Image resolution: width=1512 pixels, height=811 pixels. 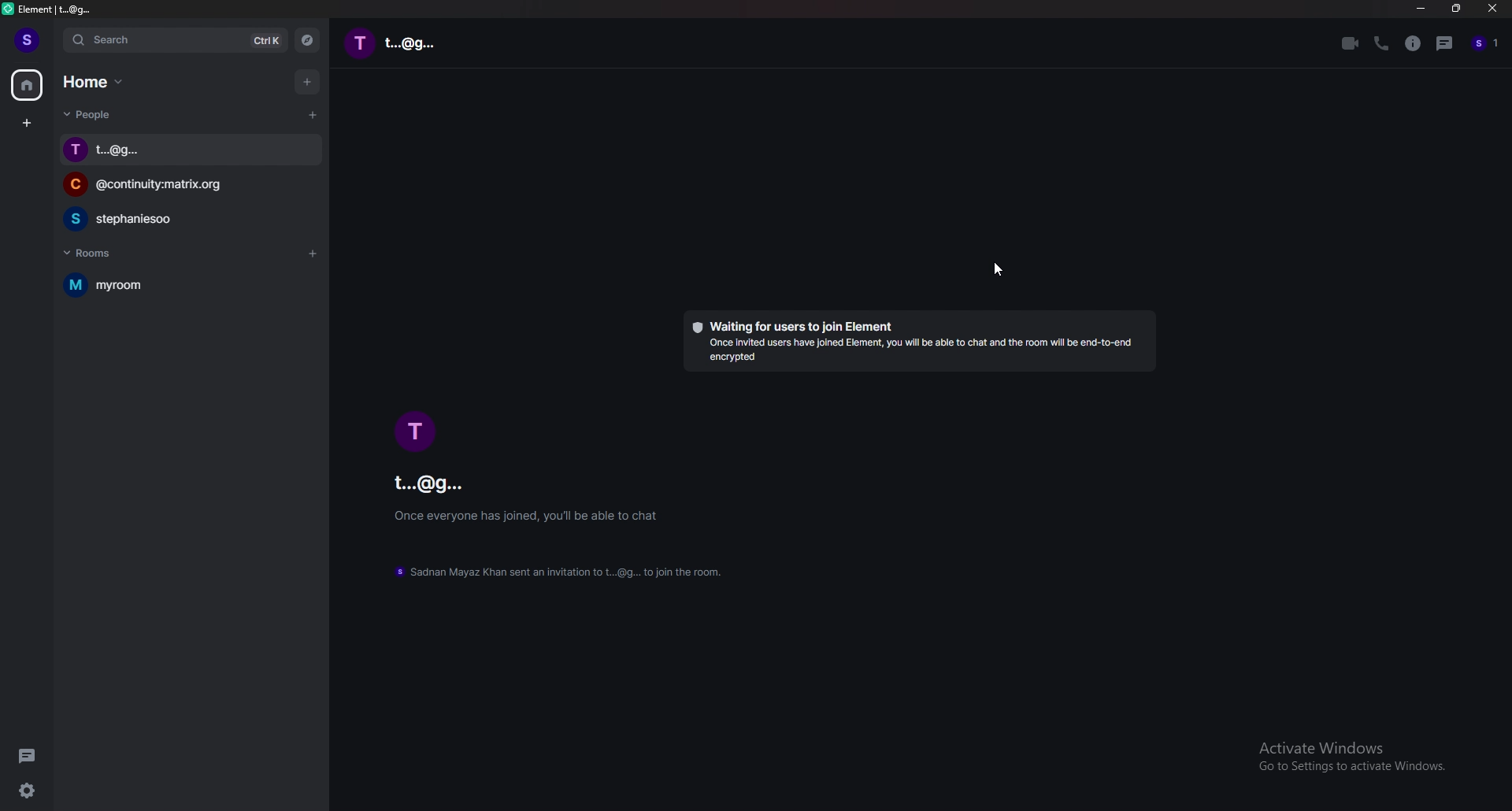 I want to click on info, so click(x=531, y=516).